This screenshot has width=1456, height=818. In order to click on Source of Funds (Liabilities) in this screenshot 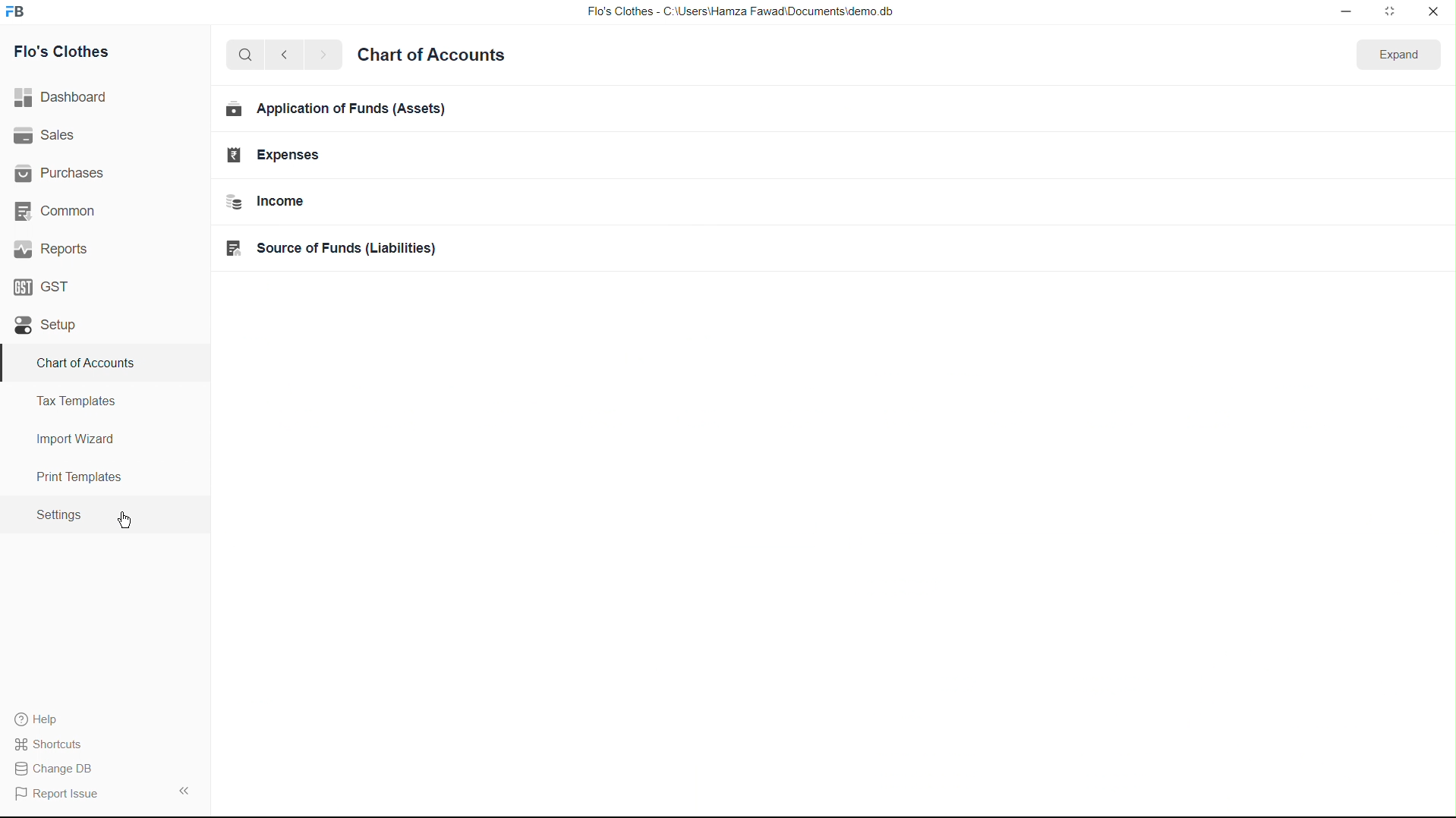, I will do `click(343, 247)`.